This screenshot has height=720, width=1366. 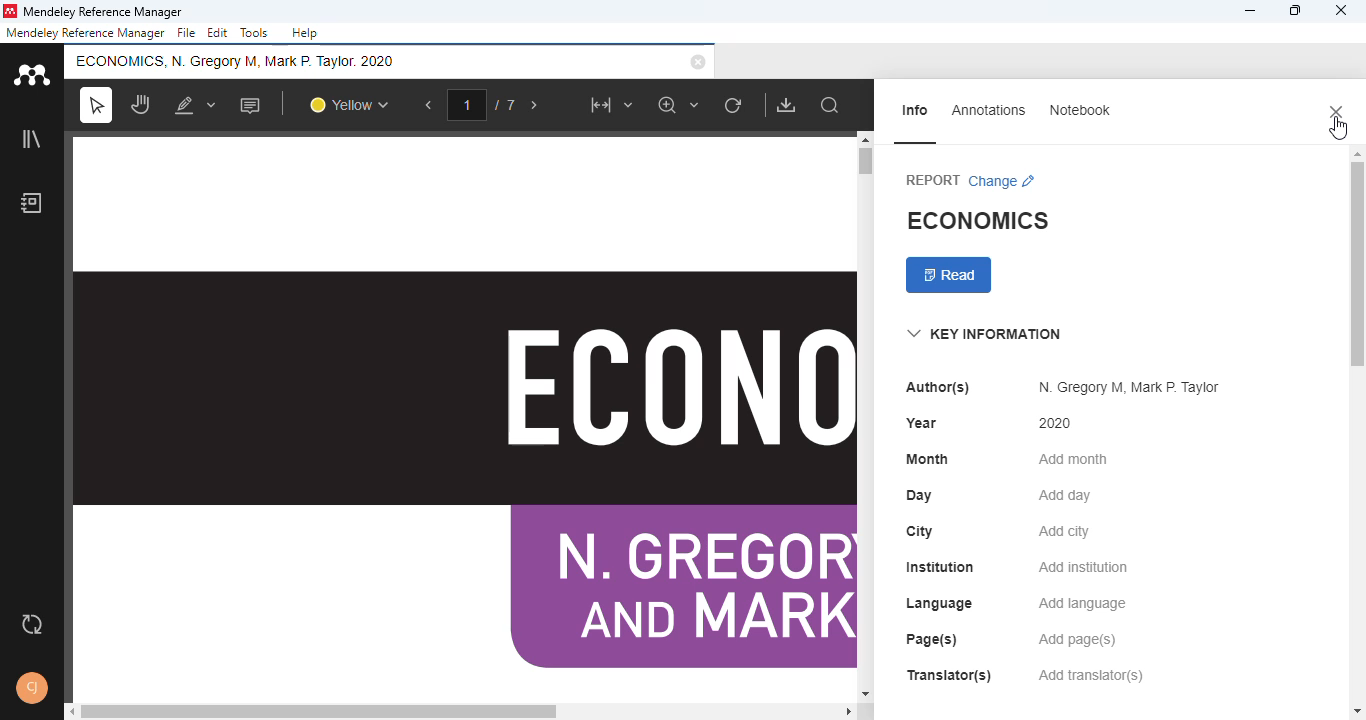 I want to click on fit to width / fit to height, so click(x=610, y=105).